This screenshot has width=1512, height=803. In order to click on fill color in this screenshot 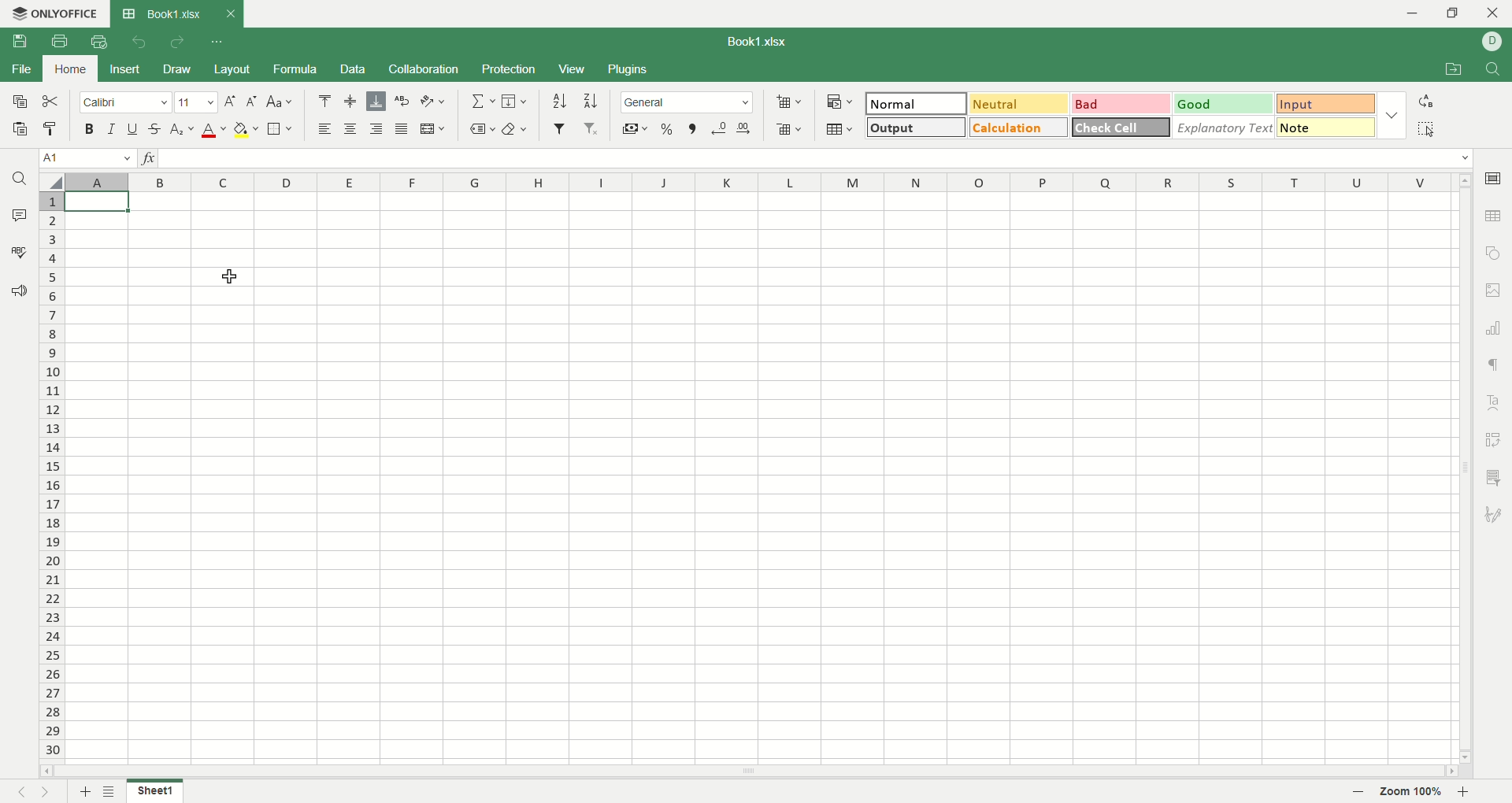, I will do `click(246, 130)`.